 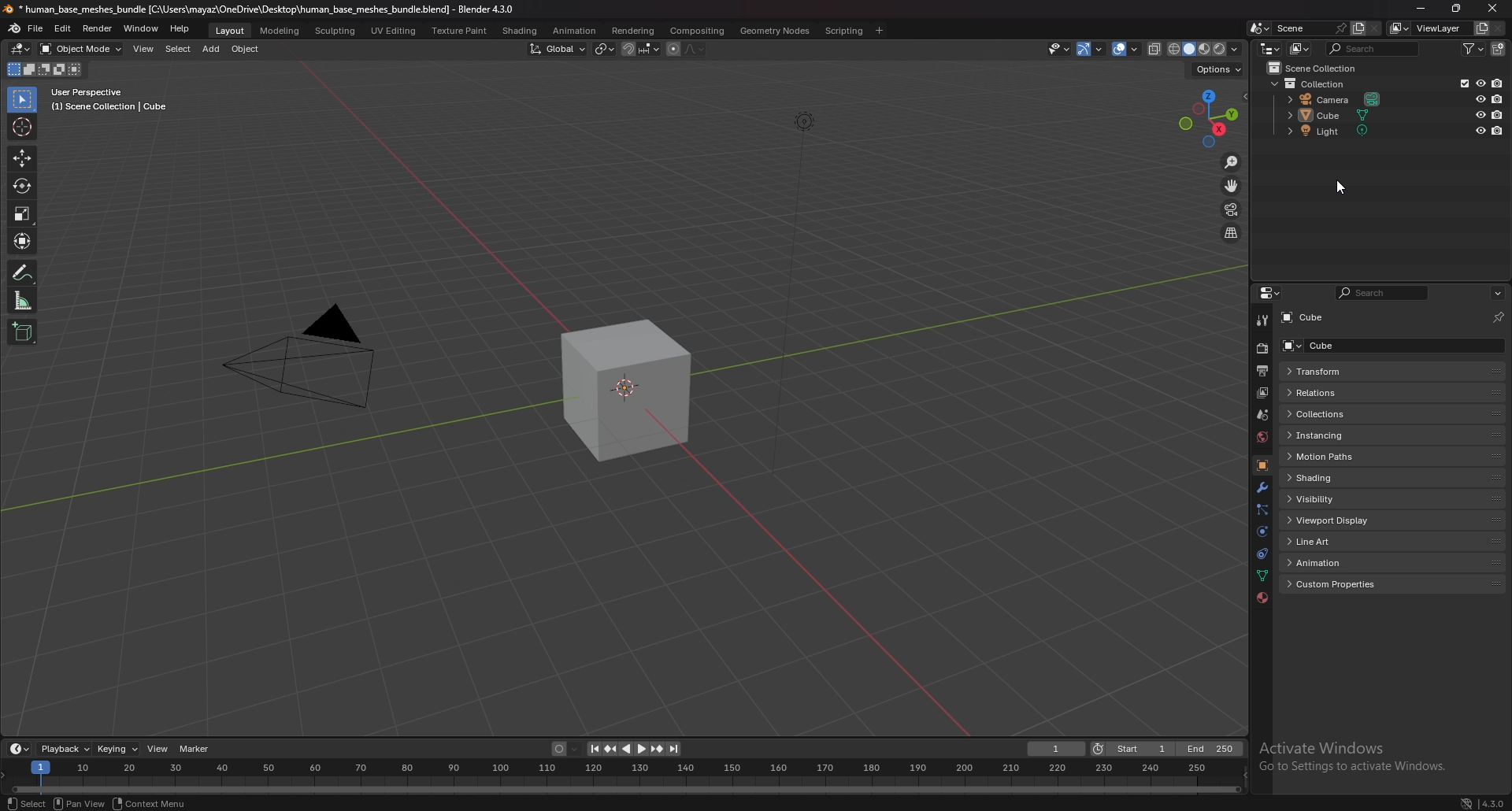 I want to click on current frame, so click(x=1055, y=750).